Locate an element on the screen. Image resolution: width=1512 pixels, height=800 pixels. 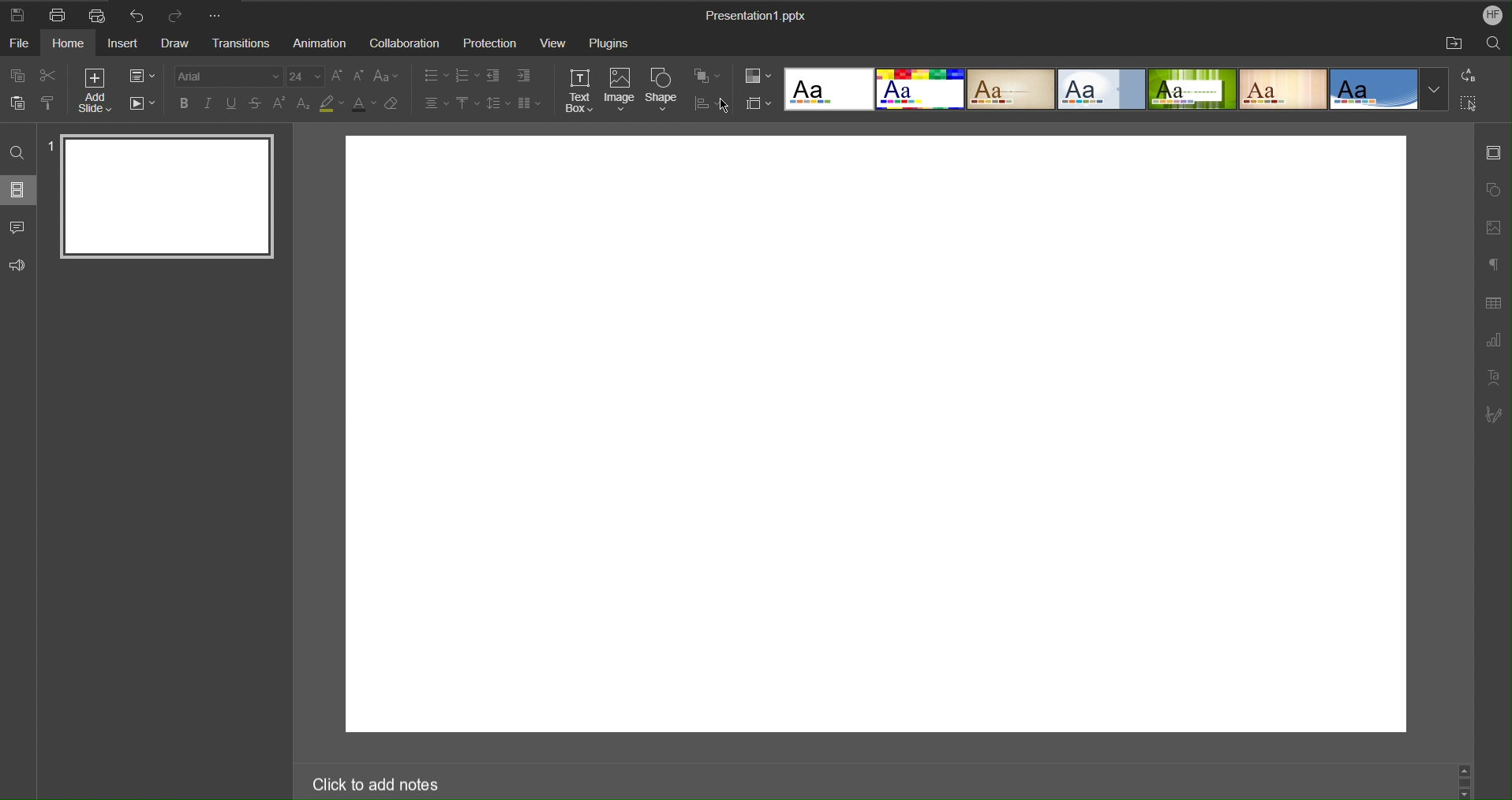
Vertical Align is located at coordinates (466, 104).